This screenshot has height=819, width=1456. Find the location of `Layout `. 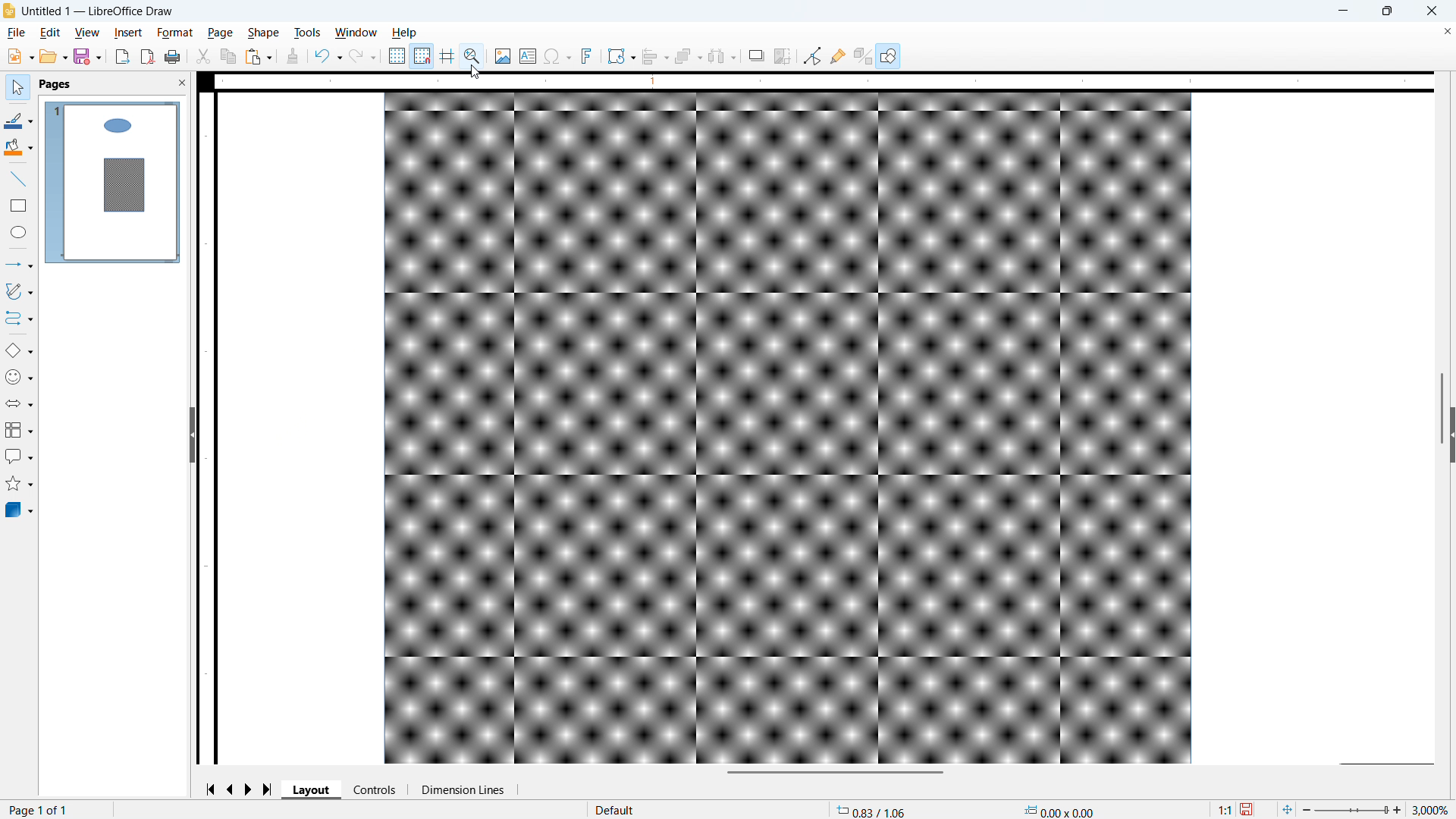

Layout  is located at coordinates (312, 789).